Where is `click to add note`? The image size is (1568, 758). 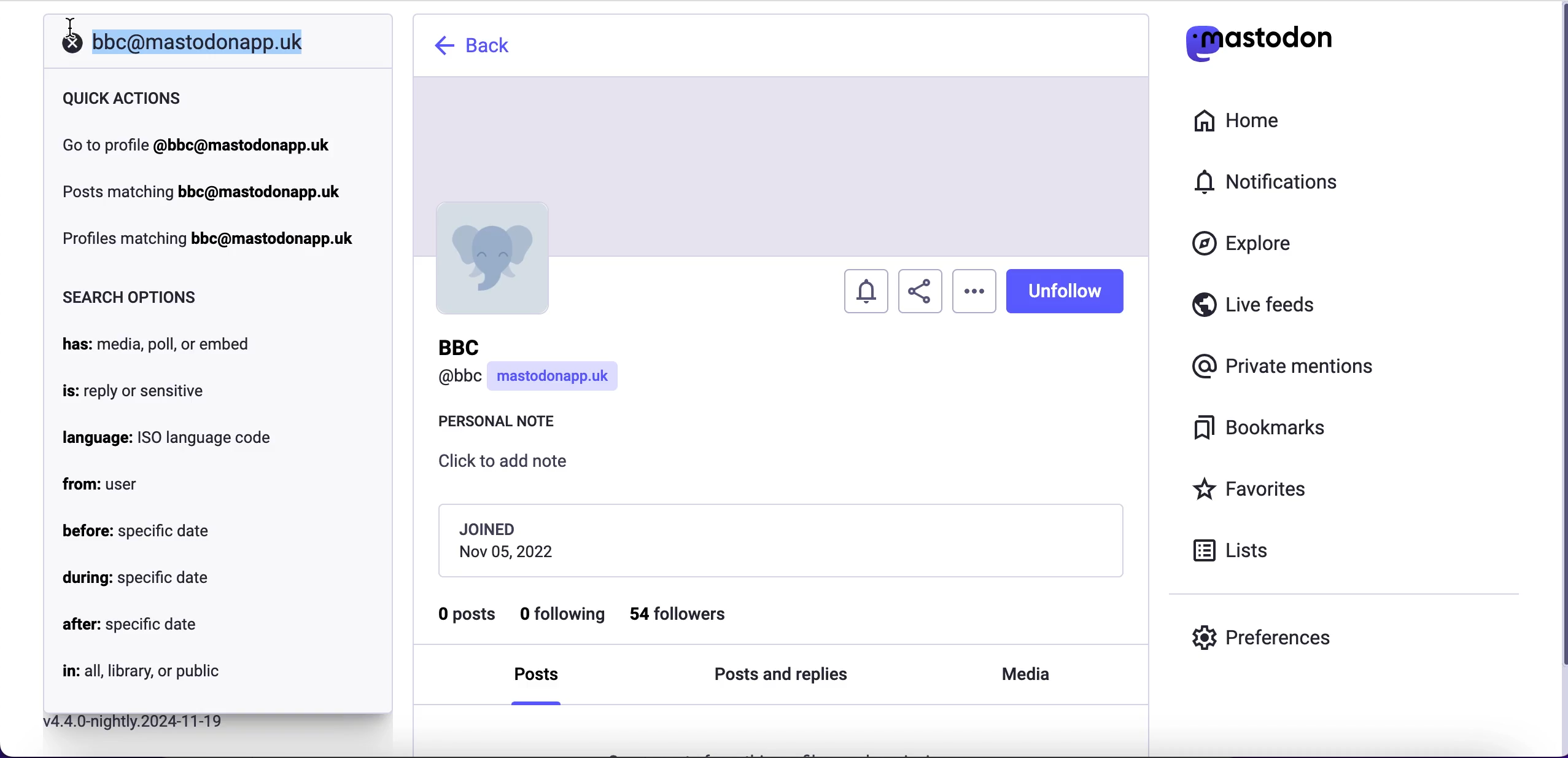 click to add note is located at coordinates (513, 466).